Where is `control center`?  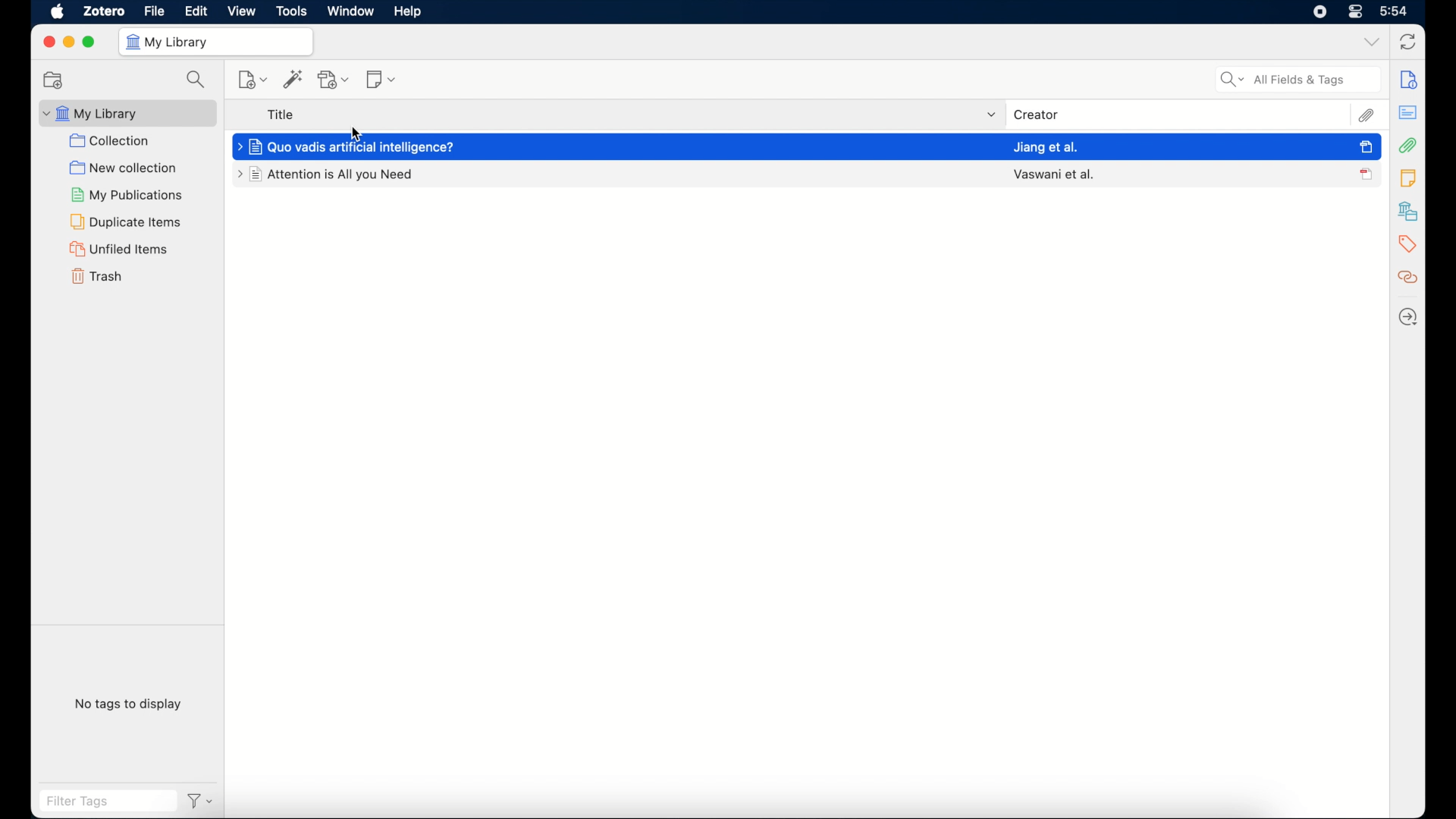 control center is located at coordinates (1356, 12).